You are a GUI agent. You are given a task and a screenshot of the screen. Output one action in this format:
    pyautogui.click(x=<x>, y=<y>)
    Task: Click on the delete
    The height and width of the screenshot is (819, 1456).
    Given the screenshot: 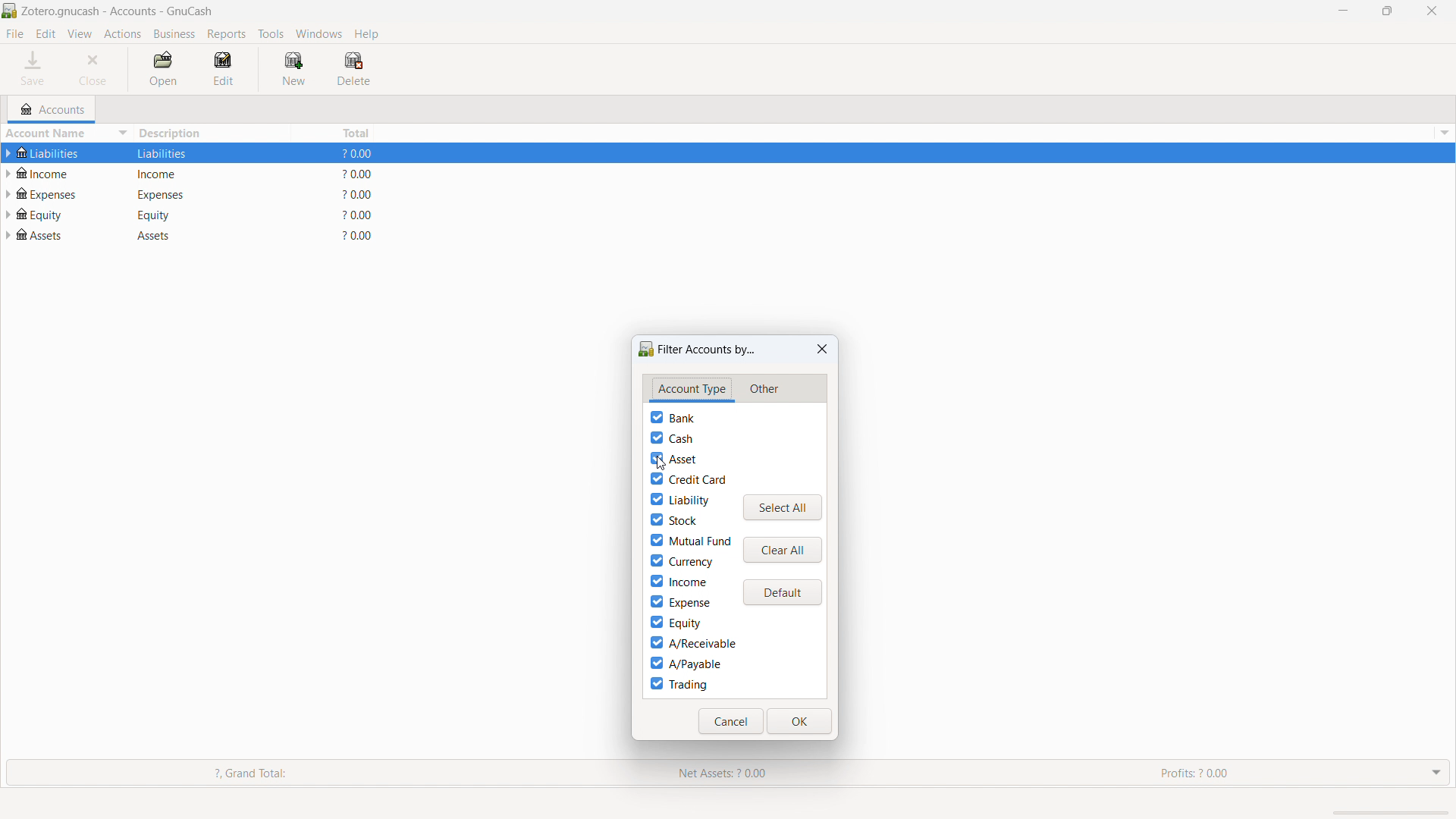 What is the action you would take?
    pyautogui.click(x=353, y=69)
    